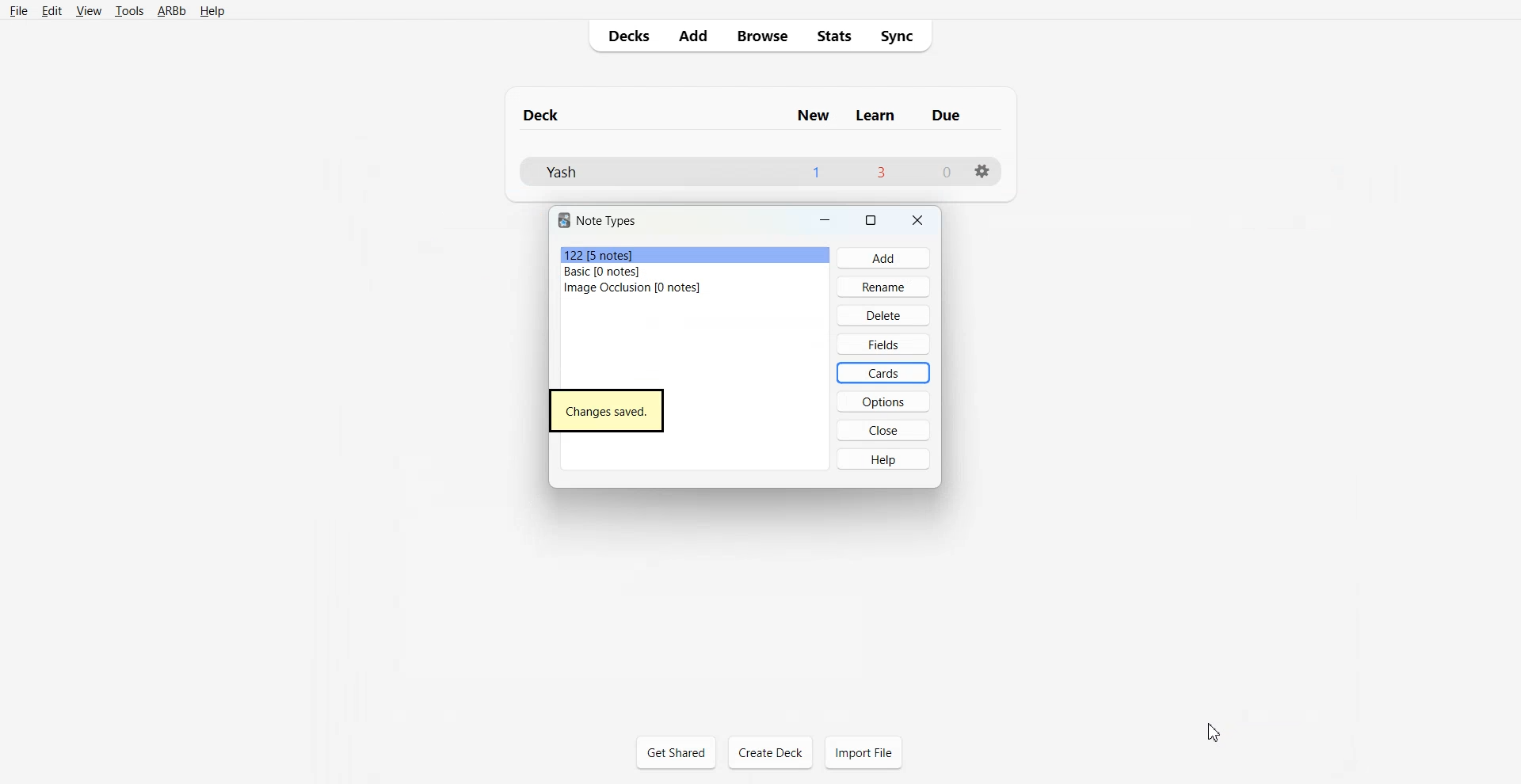 The image size is (1521, 784). Describe the element at coordinates (901, 34) in the screenshot. I see `Sync` at that location.